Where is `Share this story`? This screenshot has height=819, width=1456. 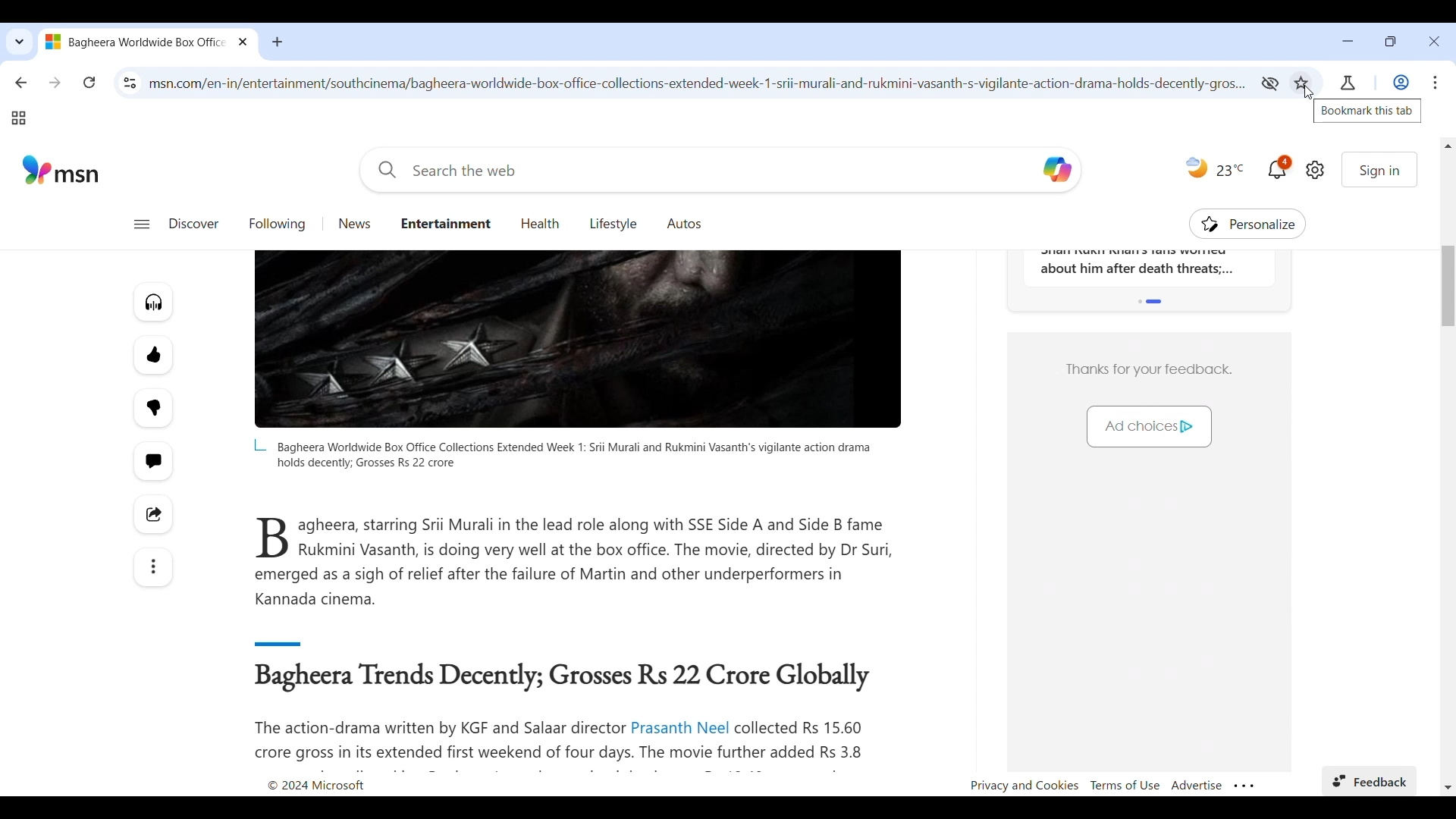 Share this story is located at coordinates (153, 514).